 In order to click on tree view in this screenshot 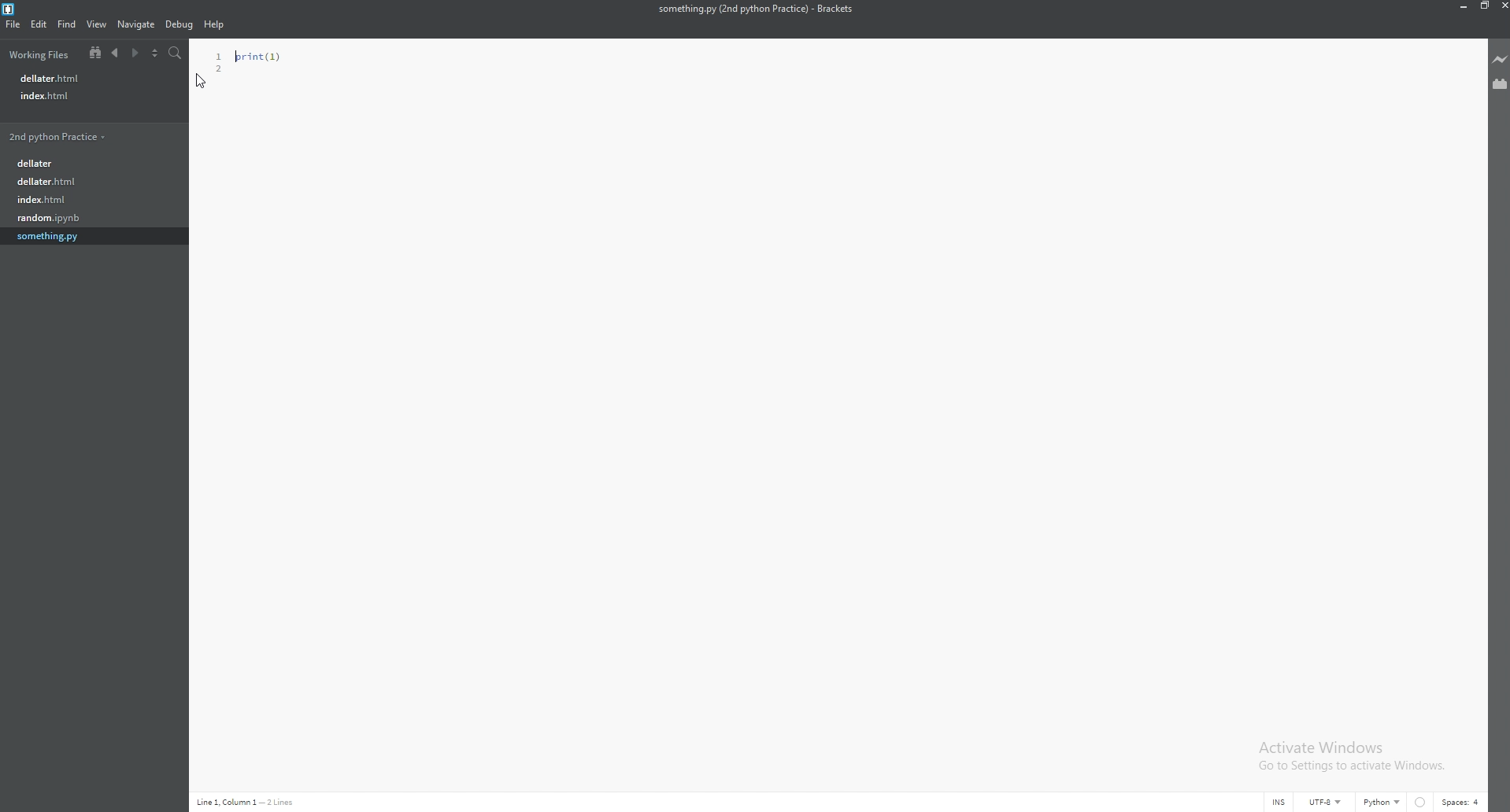, I will do `click(95, 53)`.